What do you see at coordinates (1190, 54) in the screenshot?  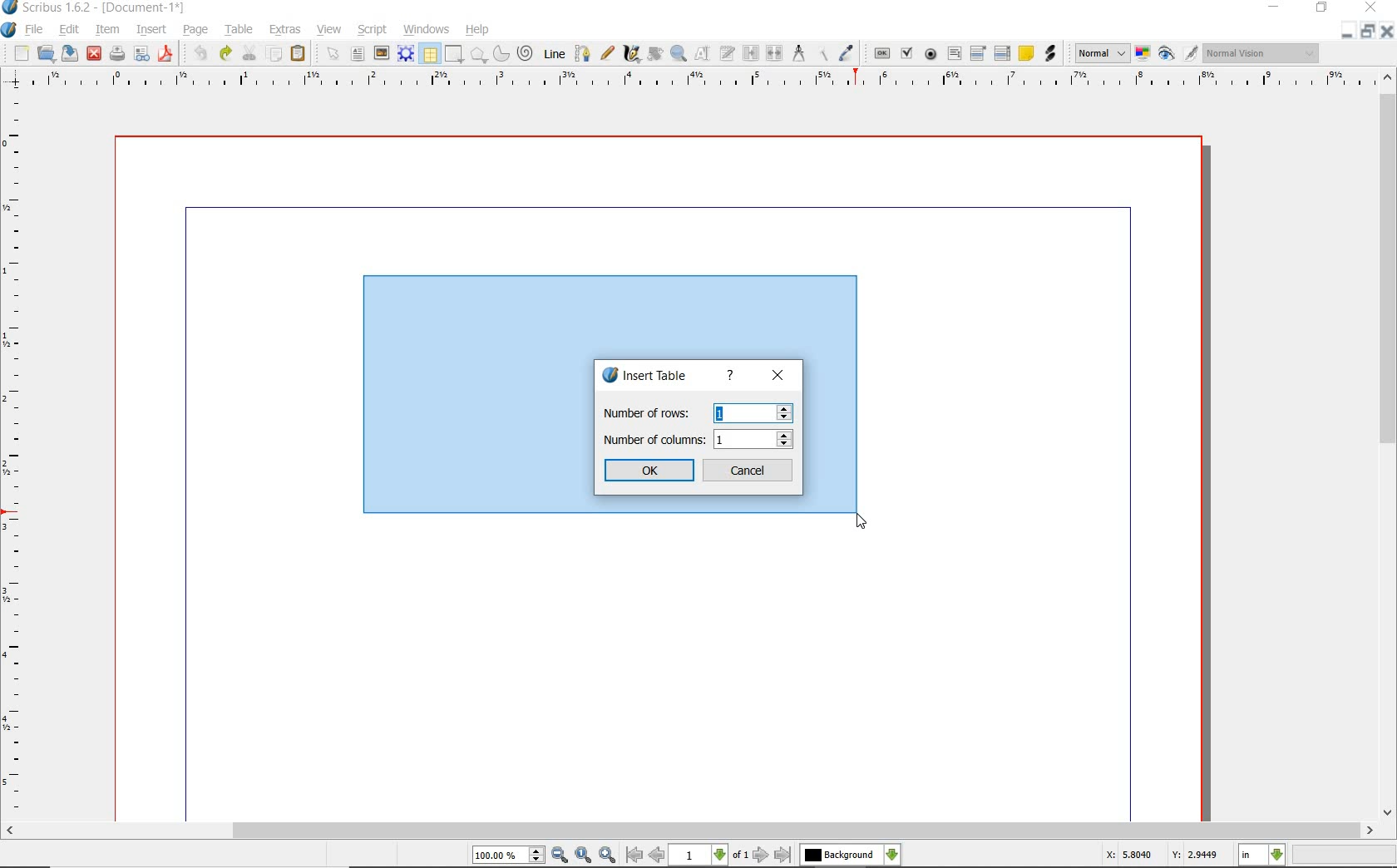 I see `edit in preview mode` at bounding box center [1190, 54].